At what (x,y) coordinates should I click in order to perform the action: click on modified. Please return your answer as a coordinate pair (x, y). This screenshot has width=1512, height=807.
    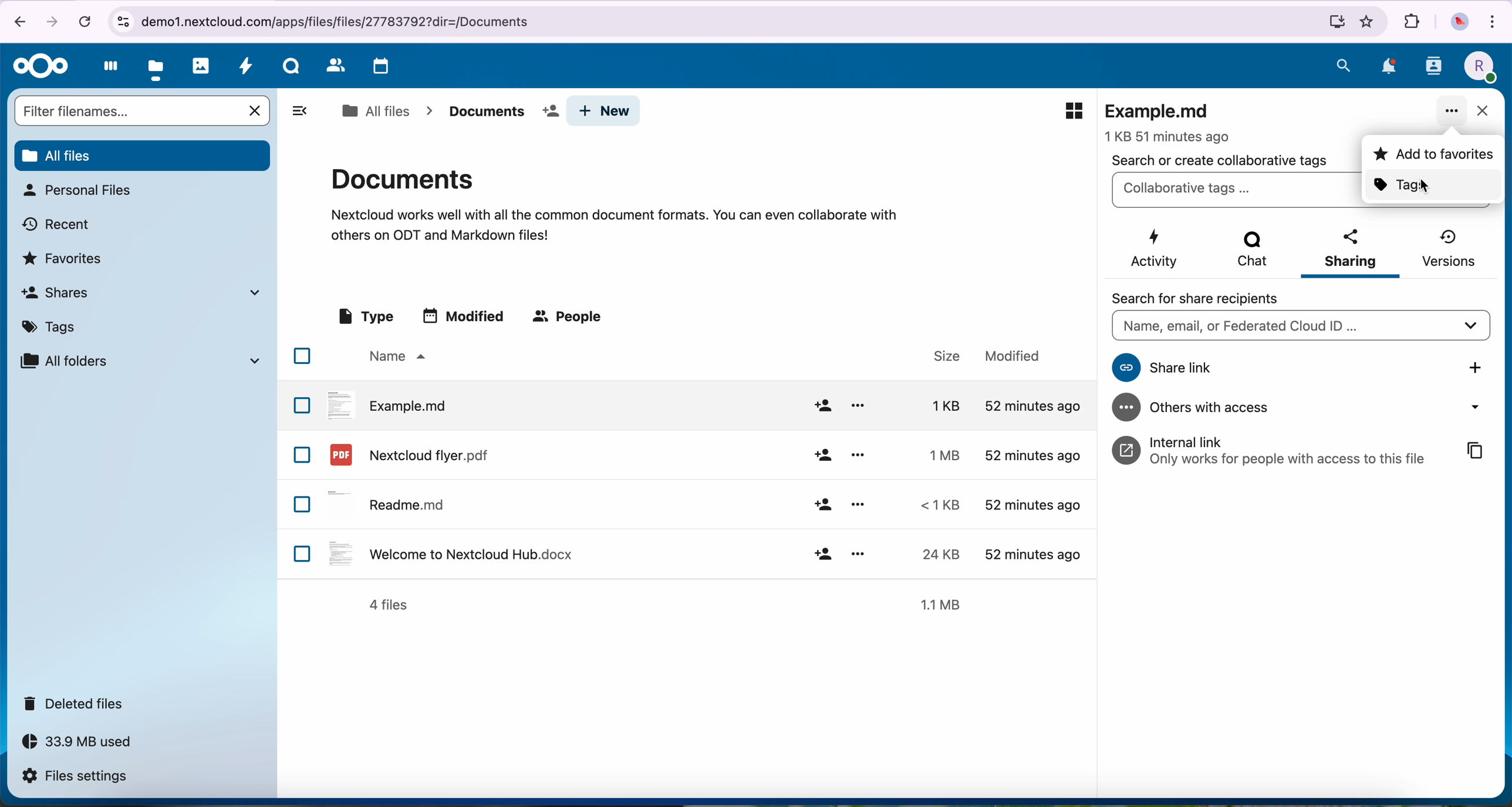
    Looking at the image, I should click on (1030, 406).